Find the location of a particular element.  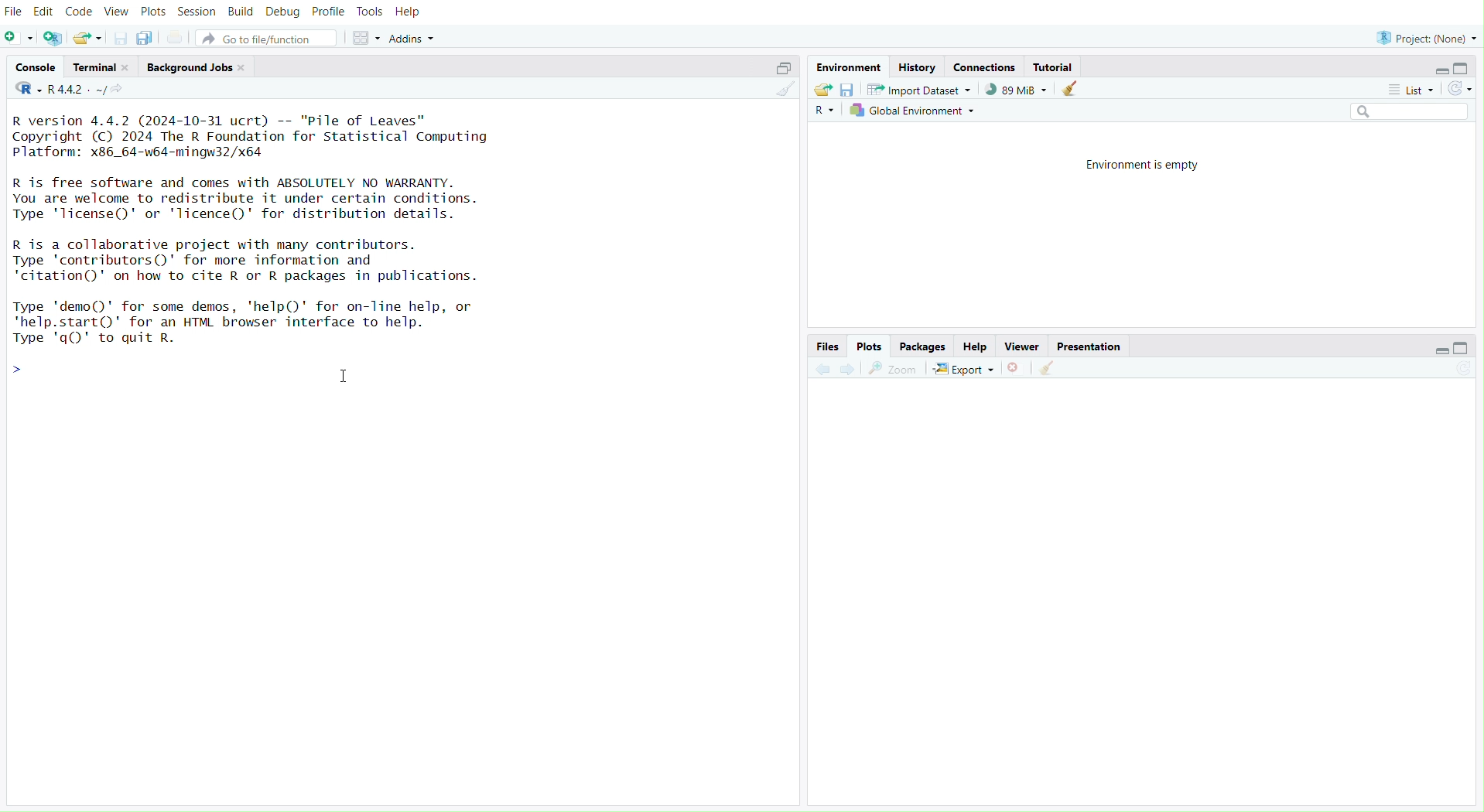

Debug is located at coordinates (281, 12).